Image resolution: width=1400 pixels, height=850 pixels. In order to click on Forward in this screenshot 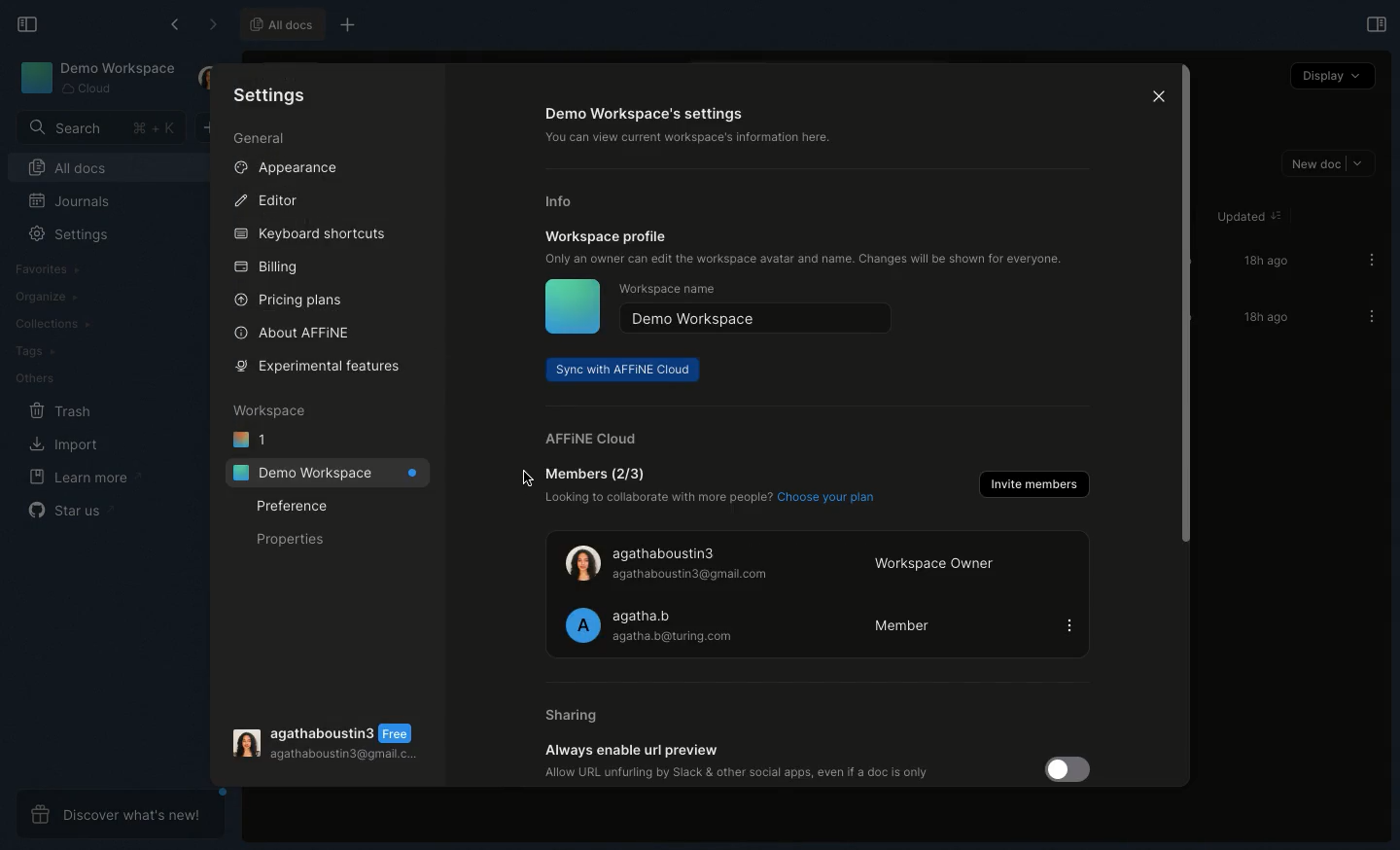, I will do `click(209, 23)`.